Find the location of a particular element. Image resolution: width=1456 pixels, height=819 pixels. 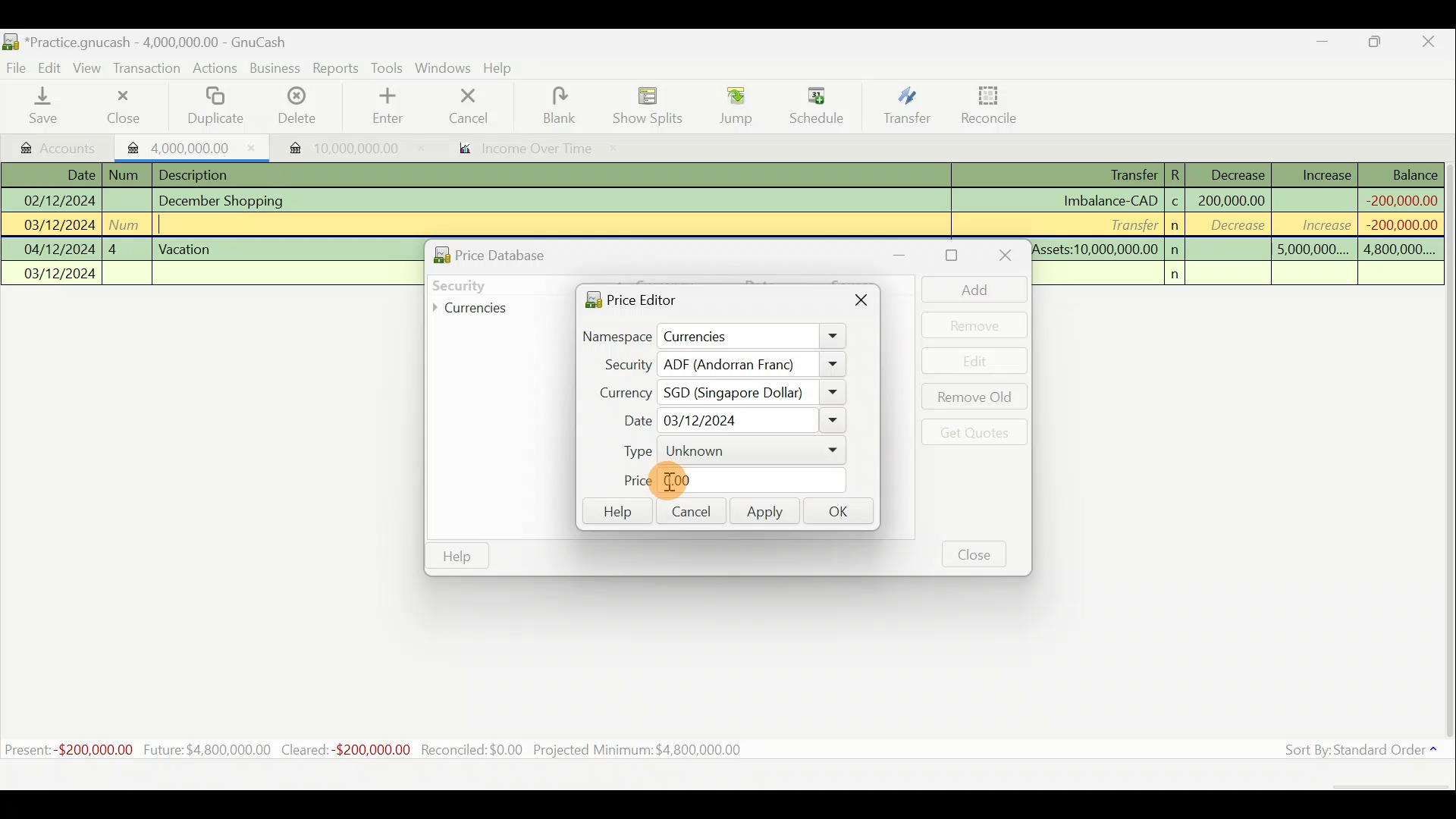

Close is located at coordinates (975, 554).